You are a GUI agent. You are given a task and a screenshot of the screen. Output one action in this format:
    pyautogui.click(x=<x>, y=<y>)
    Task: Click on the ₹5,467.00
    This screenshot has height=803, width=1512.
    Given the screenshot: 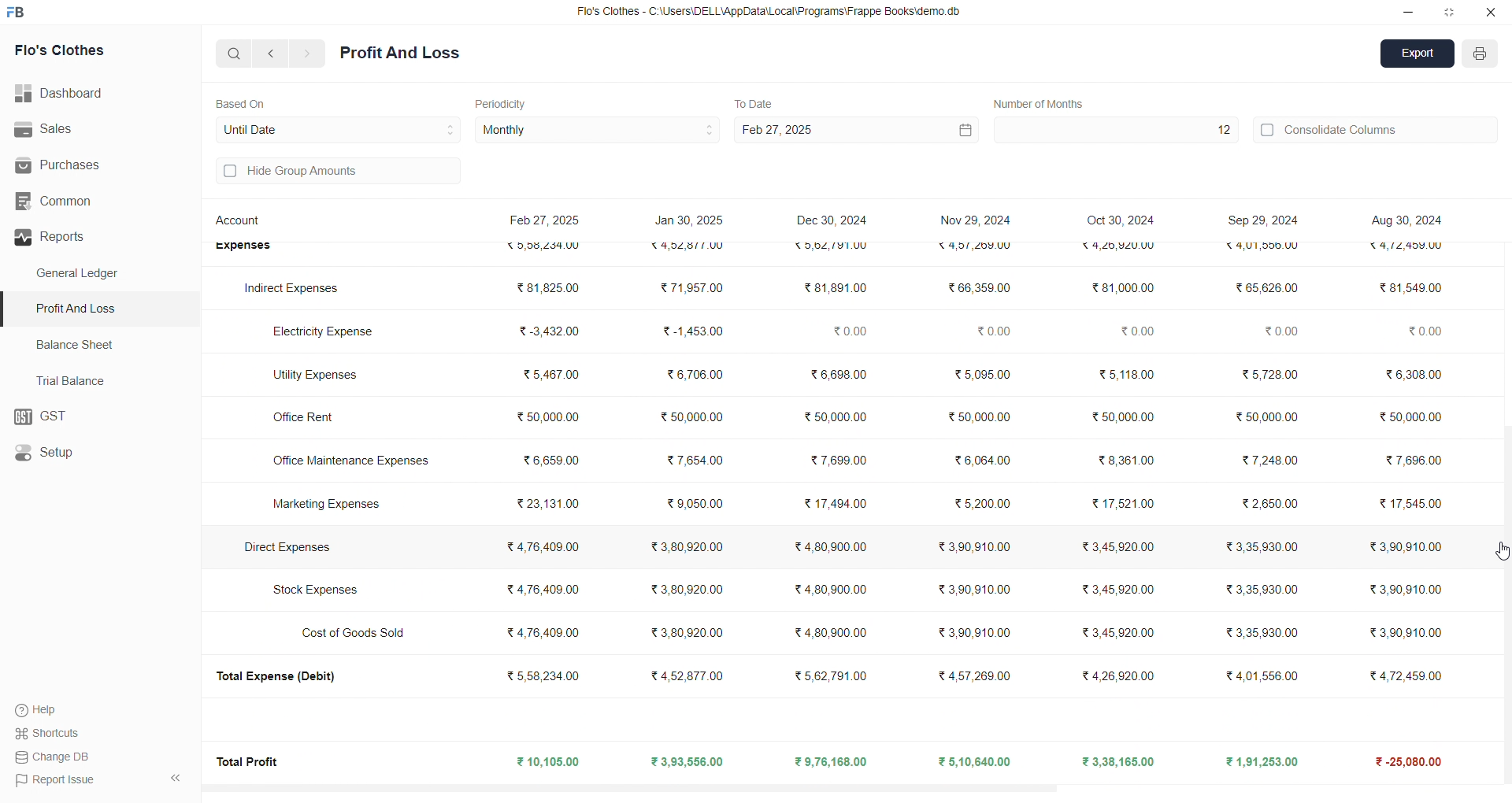 What is the action you would take?
    pyautogui.click(x=550, y=377)
    